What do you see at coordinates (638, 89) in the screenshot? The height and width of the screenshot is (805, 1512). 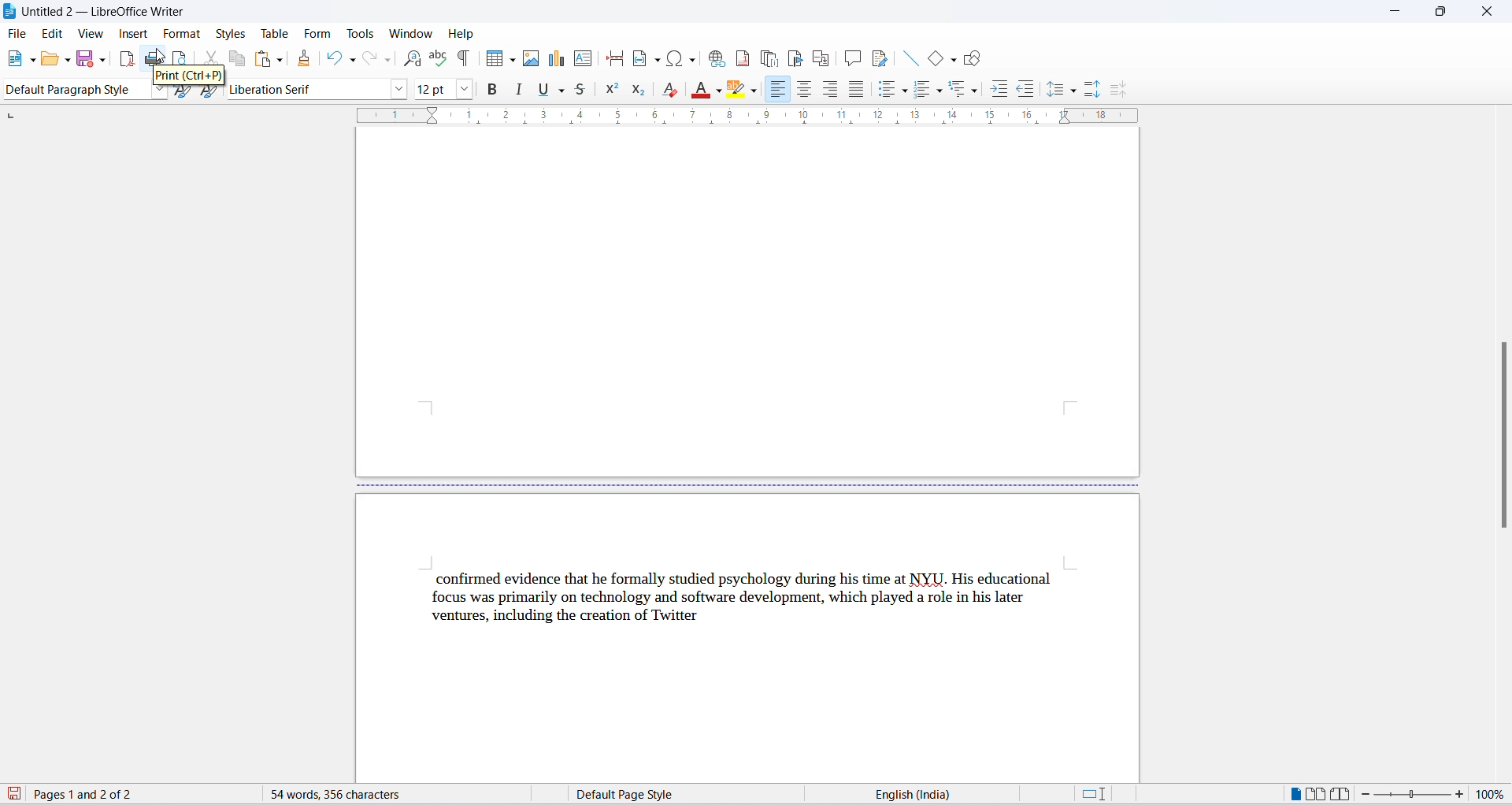 I see `subscript` at bounding box center [638, 89].